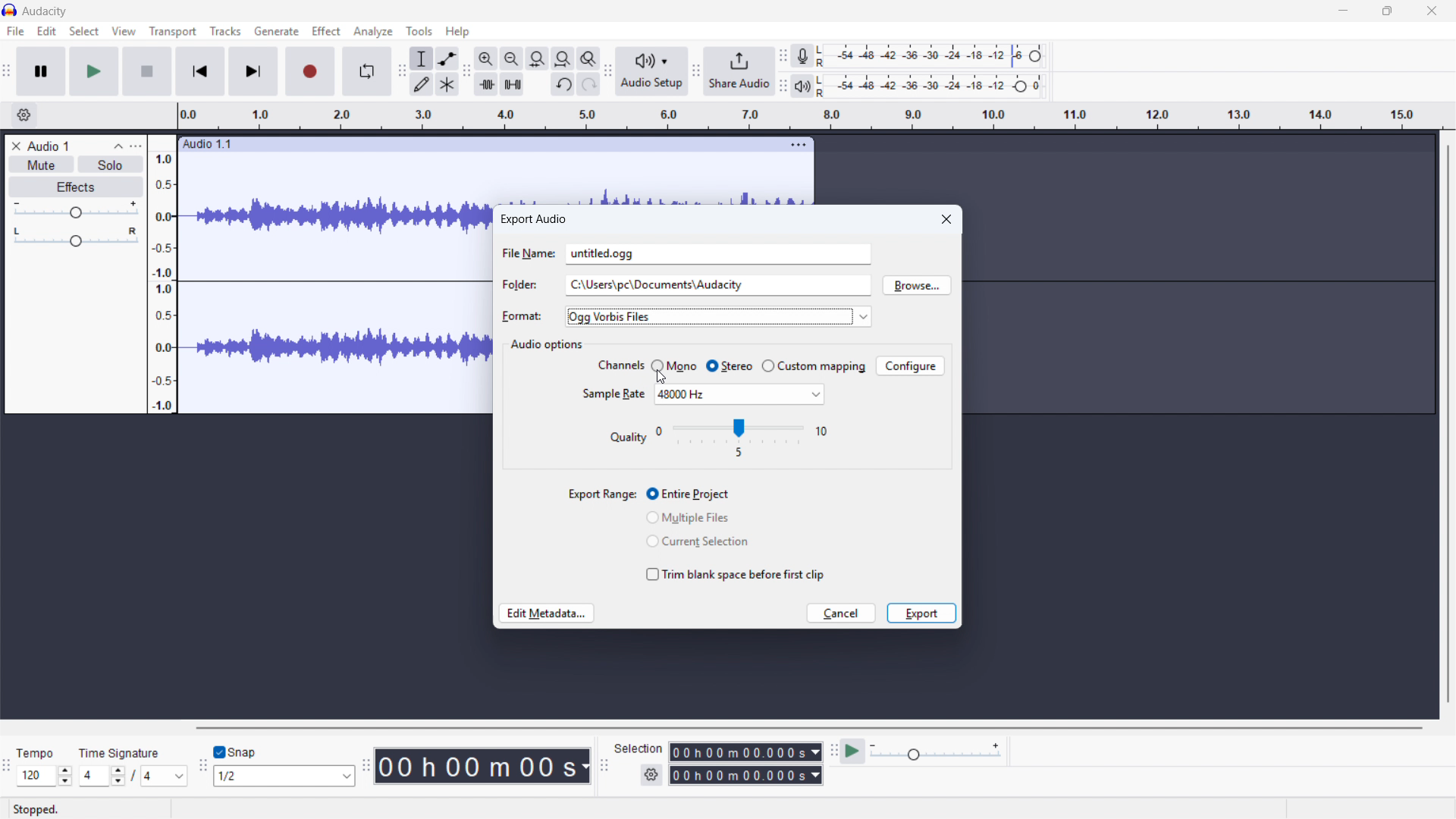  I want to click on Folder location , so click(719, 285).